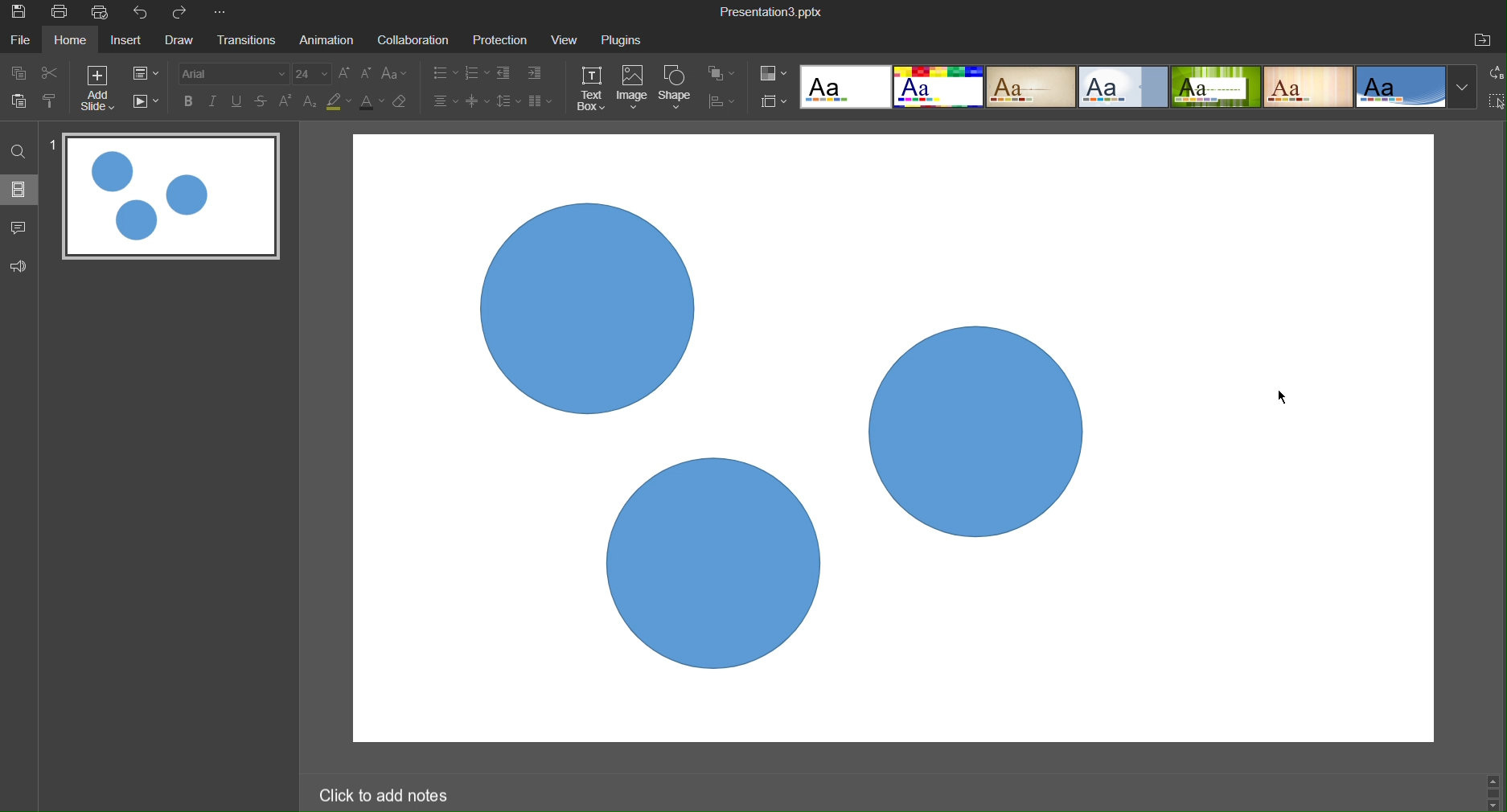 The height and width of the screenshot is (812, 1507). Describe the element at coordinates (1493, 792) in the screenshot. I see `Scroll bar ` at that location.